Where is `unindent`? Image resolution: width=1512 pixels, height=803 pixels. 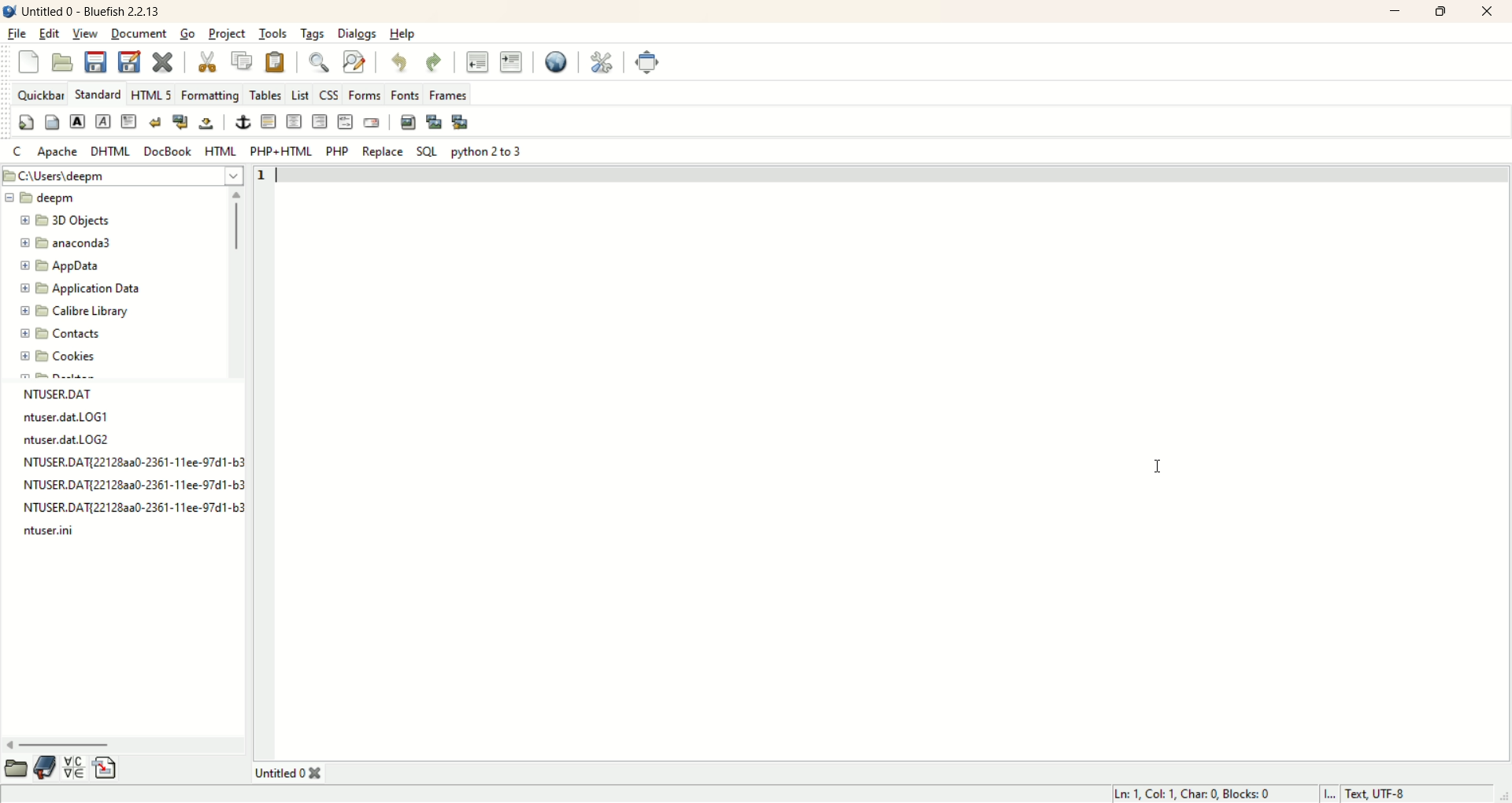
unindent is located at coordinates (477, 61).